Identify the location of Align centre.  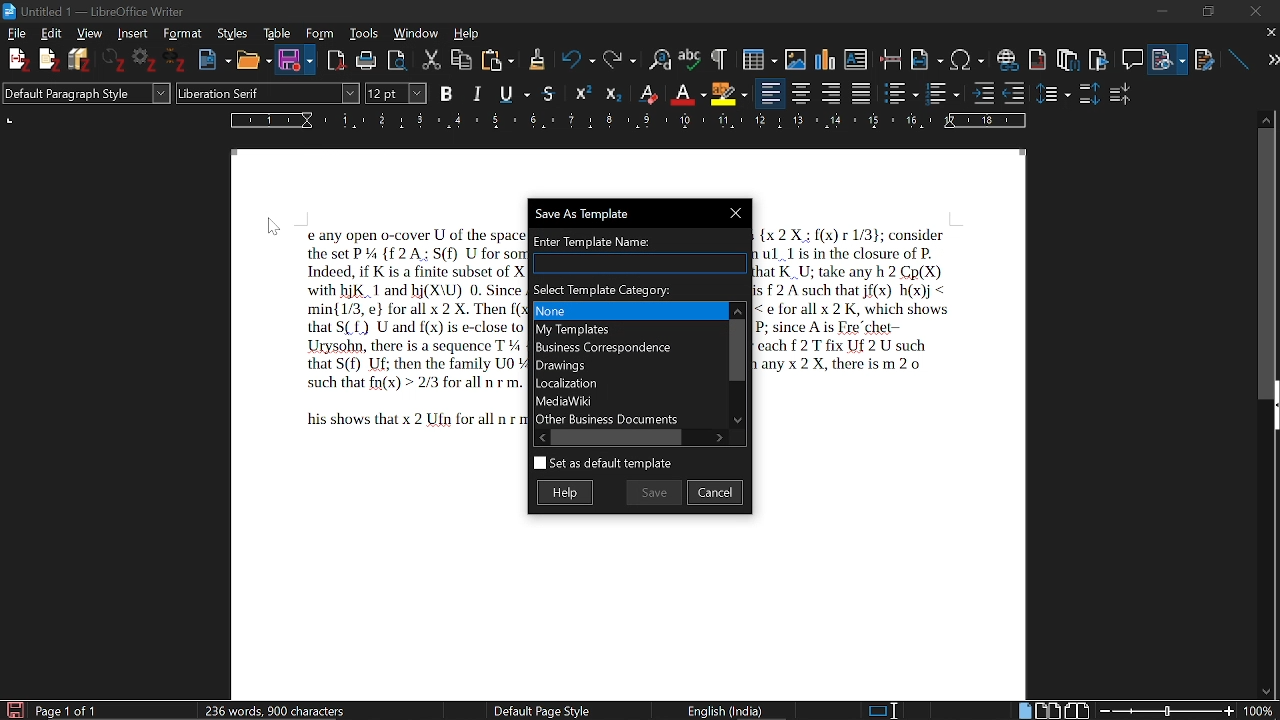
(803, 92).